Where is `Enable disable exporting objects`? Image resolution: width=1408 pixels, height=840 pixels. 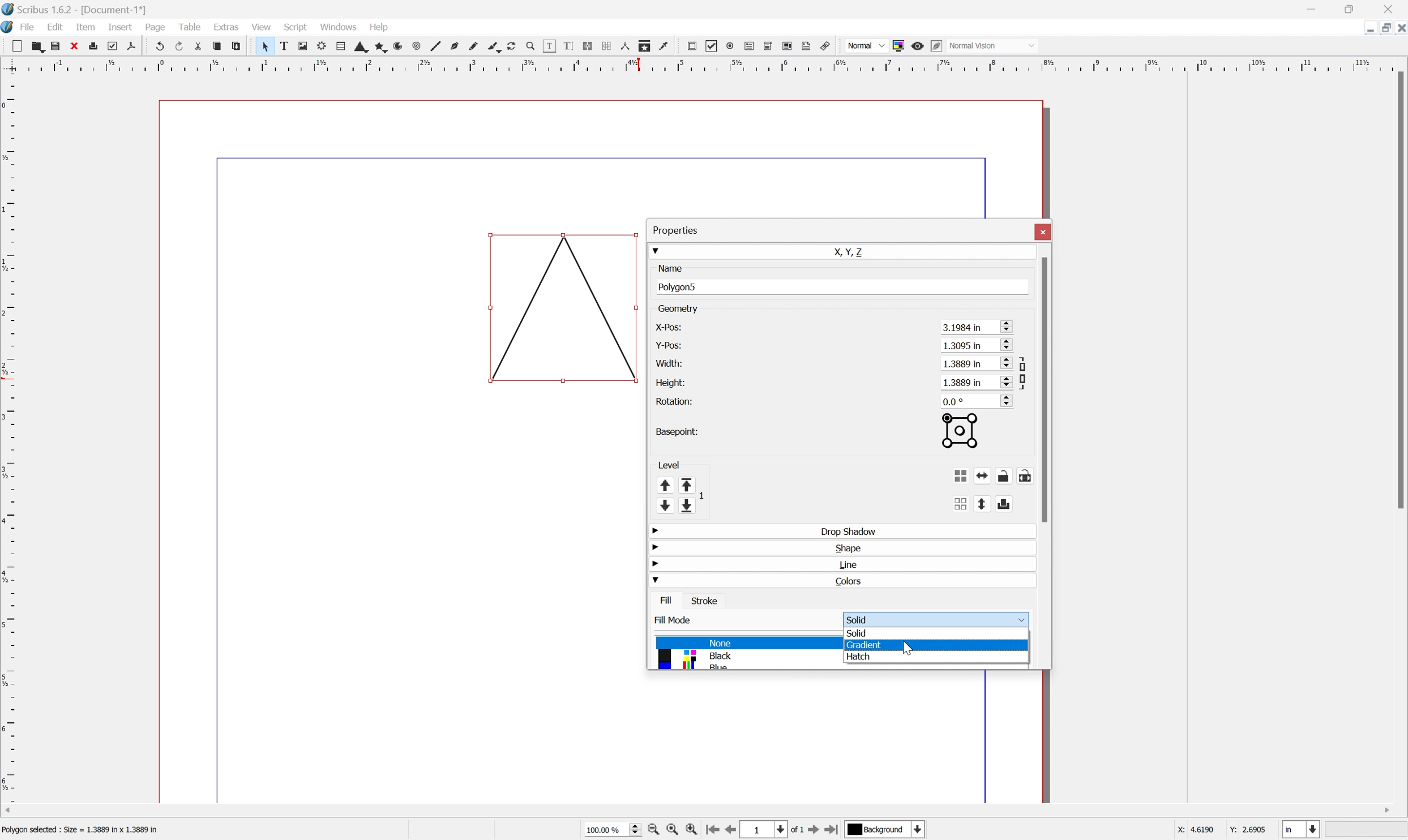 Enable disable exporting objects is located at coordinates (1018, 503).